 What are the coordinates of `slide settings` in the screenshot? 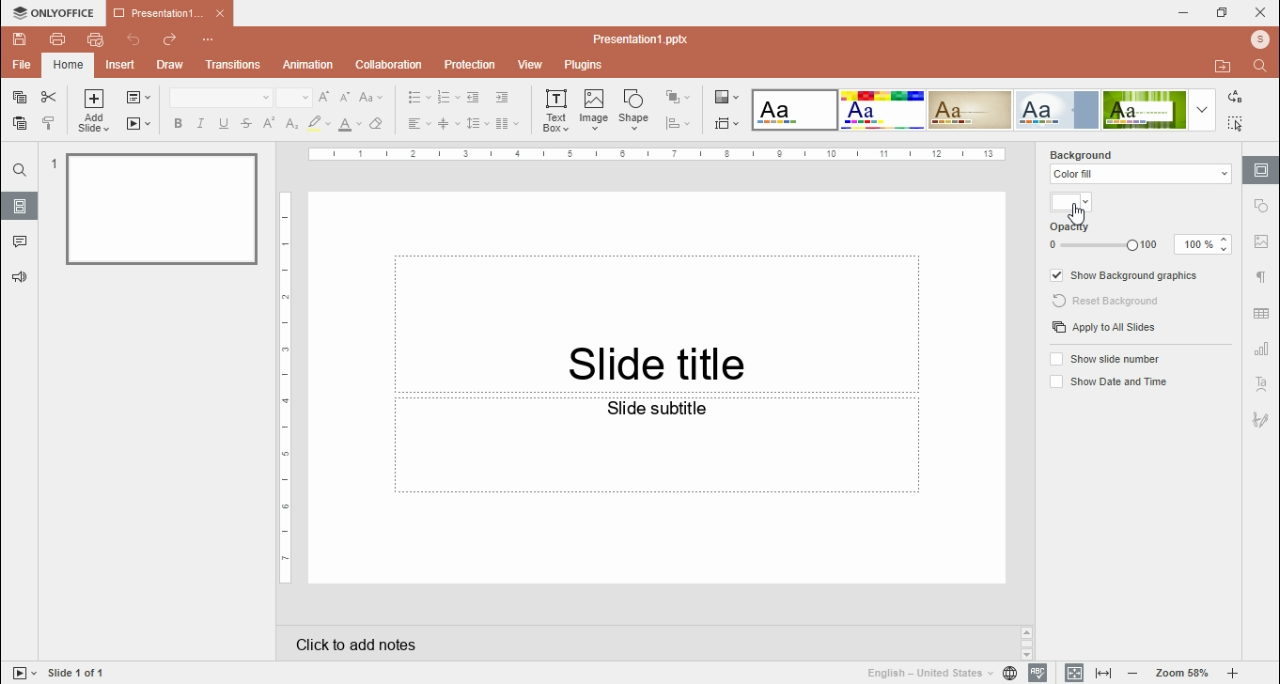 It's located at (1260, 171).